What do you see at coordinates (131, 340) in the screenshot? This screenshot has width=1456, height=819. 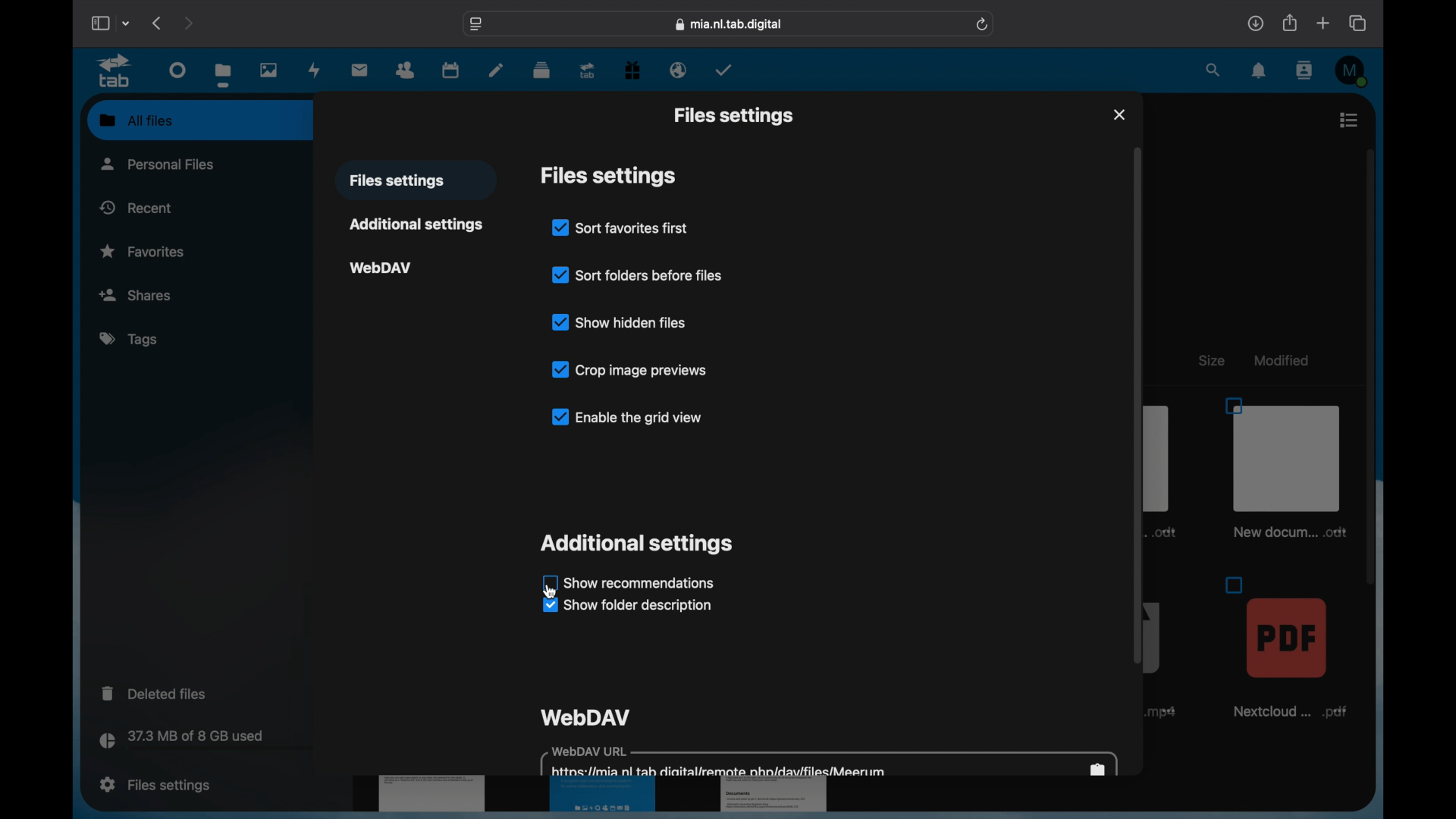 I see `tags` at bounding box center [131, 340].